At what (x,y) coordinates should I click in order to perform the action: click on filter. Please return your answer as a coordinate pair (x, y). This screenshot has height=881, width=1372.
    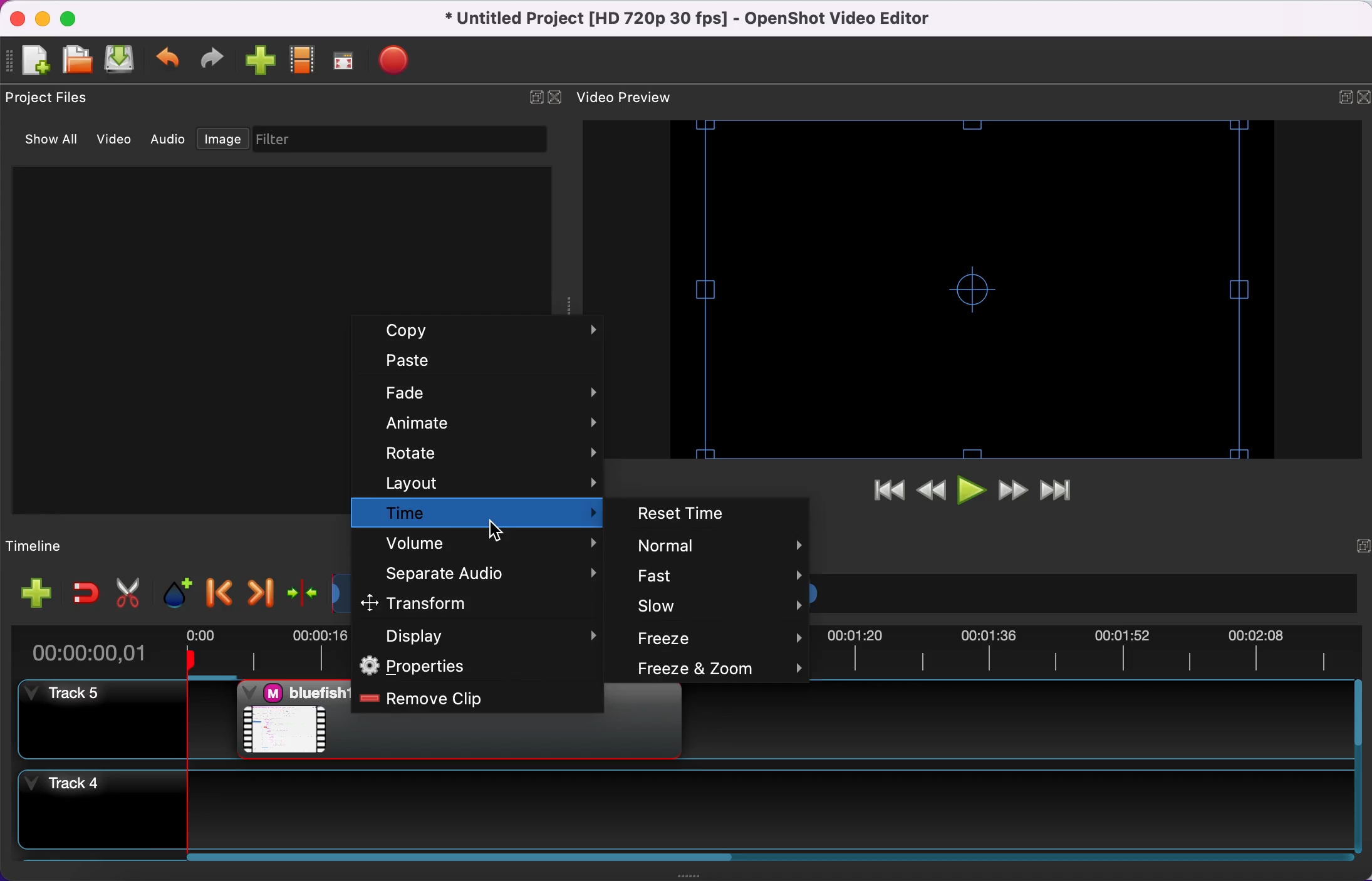
    Looking at the image, I should click on (397, 140).